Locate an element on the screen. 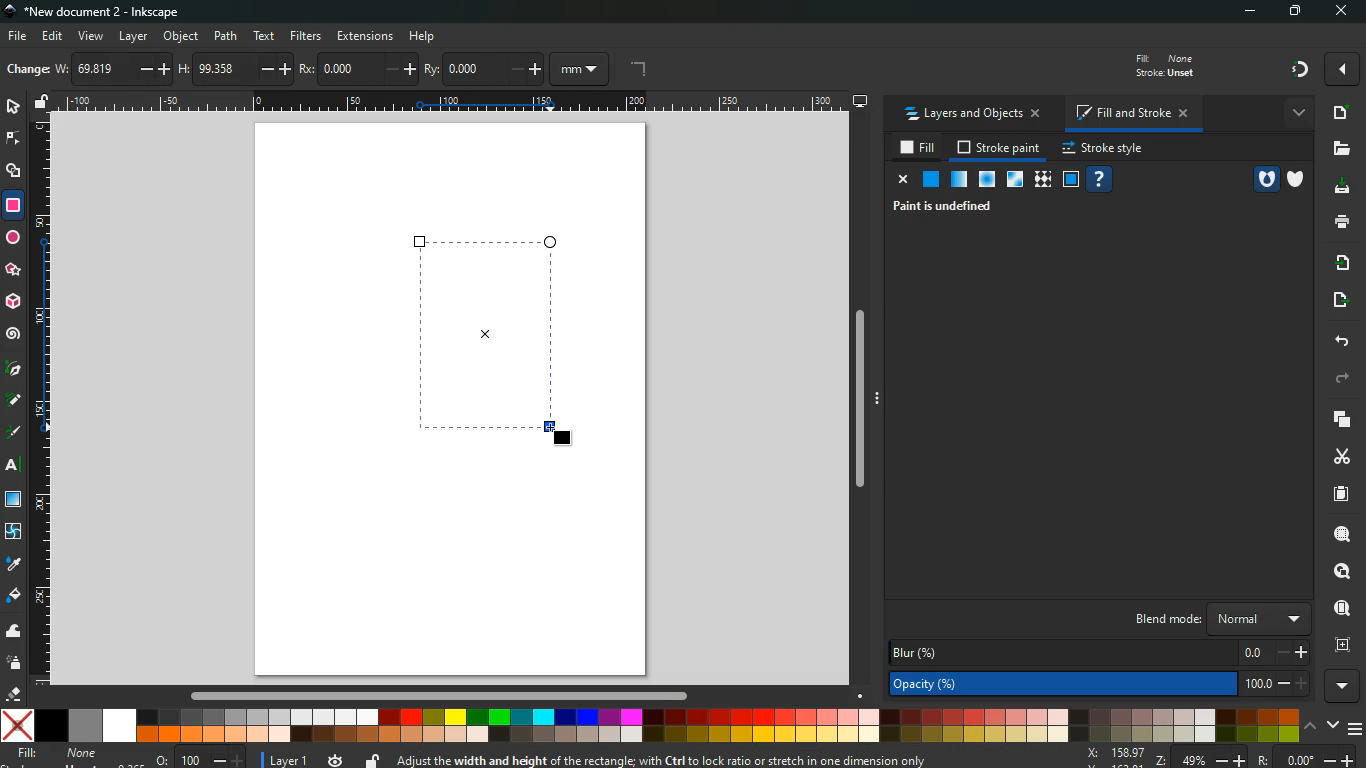  forward is located at coordinates (1346, 378).